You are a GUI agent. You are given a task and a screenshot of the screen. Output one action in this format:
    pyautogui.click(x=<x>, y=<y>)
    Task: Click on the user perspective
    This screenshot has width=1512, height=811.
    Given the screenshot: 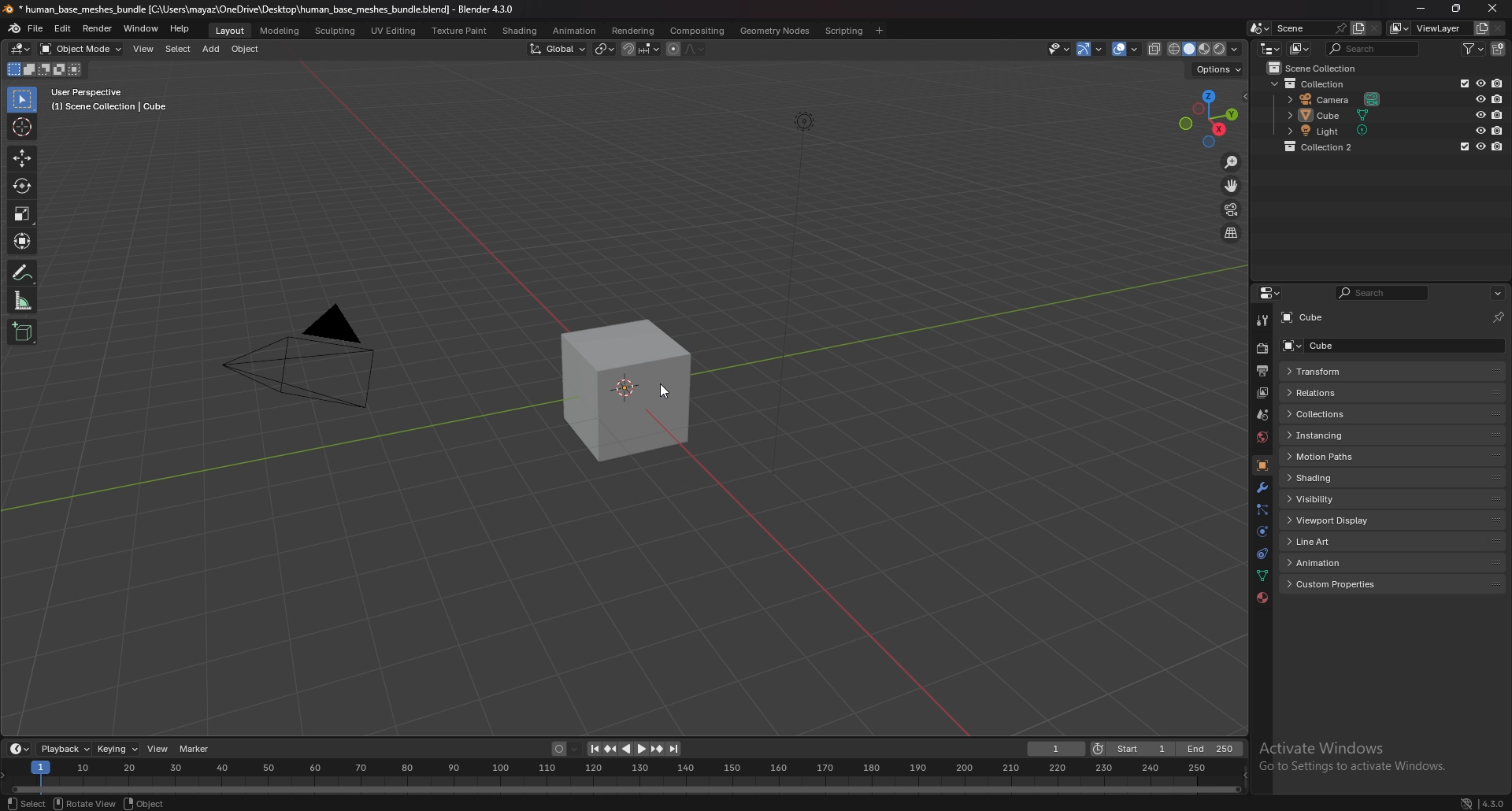 What is the action you would take?
    pyautogui.click(x=106, y=100)
    